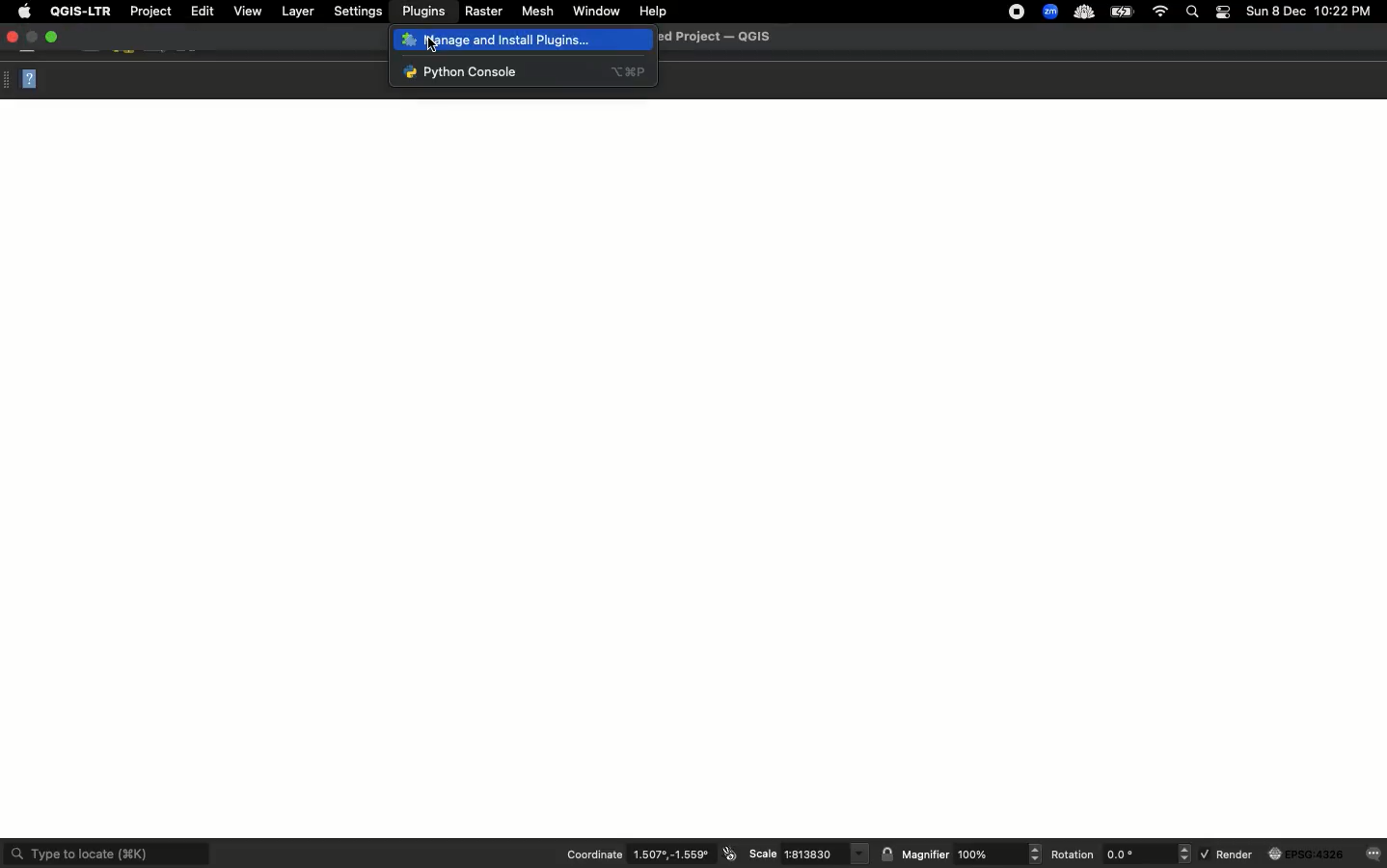 The image size is (1387, 868). I want to click on Magnifier, so click(925, 854).